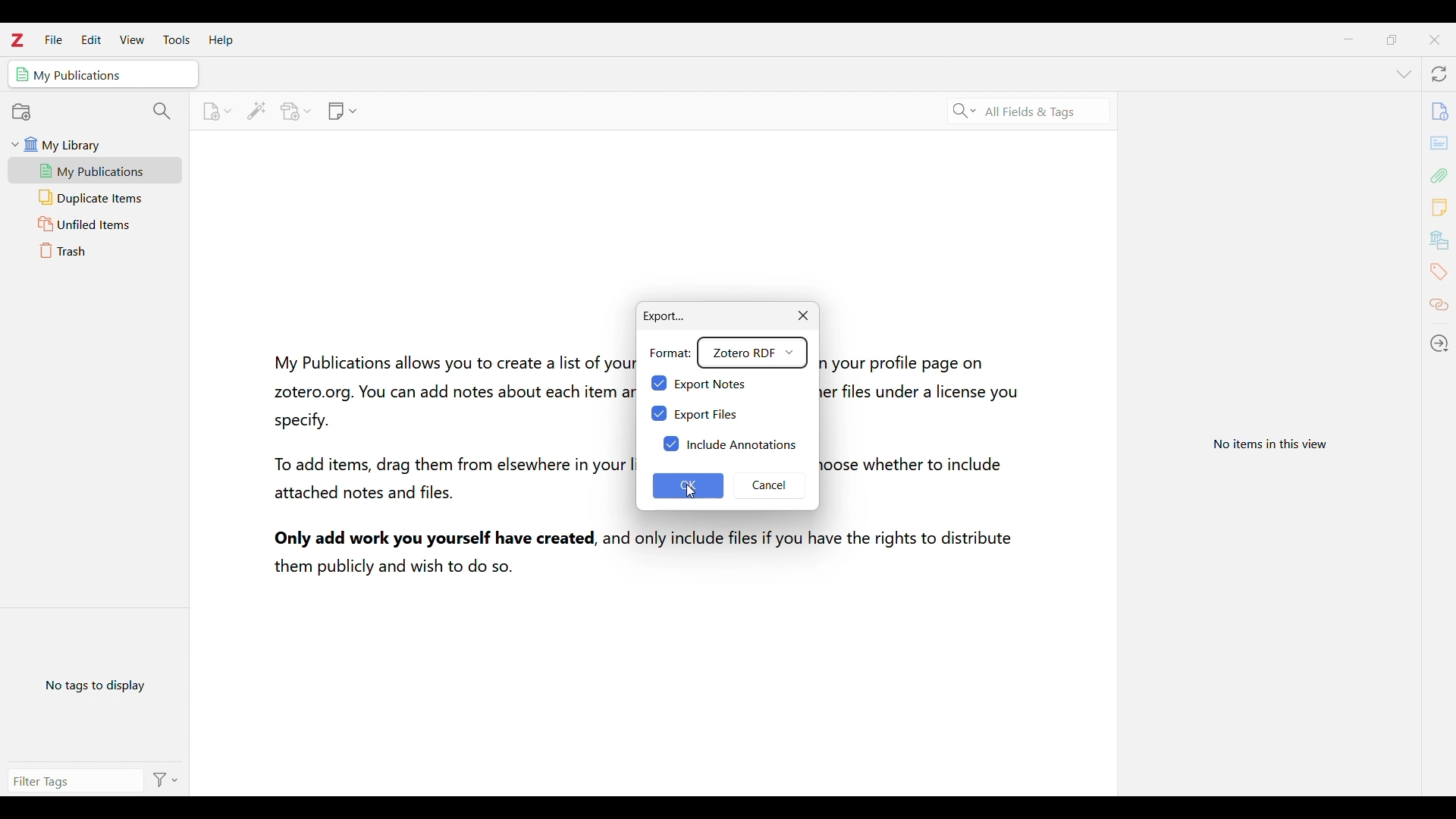 The image size is (1456, 819). What do you see at coordinates (1439, 271) in the screenshot?
I see `Tags` at bounding box center [1439, 271].